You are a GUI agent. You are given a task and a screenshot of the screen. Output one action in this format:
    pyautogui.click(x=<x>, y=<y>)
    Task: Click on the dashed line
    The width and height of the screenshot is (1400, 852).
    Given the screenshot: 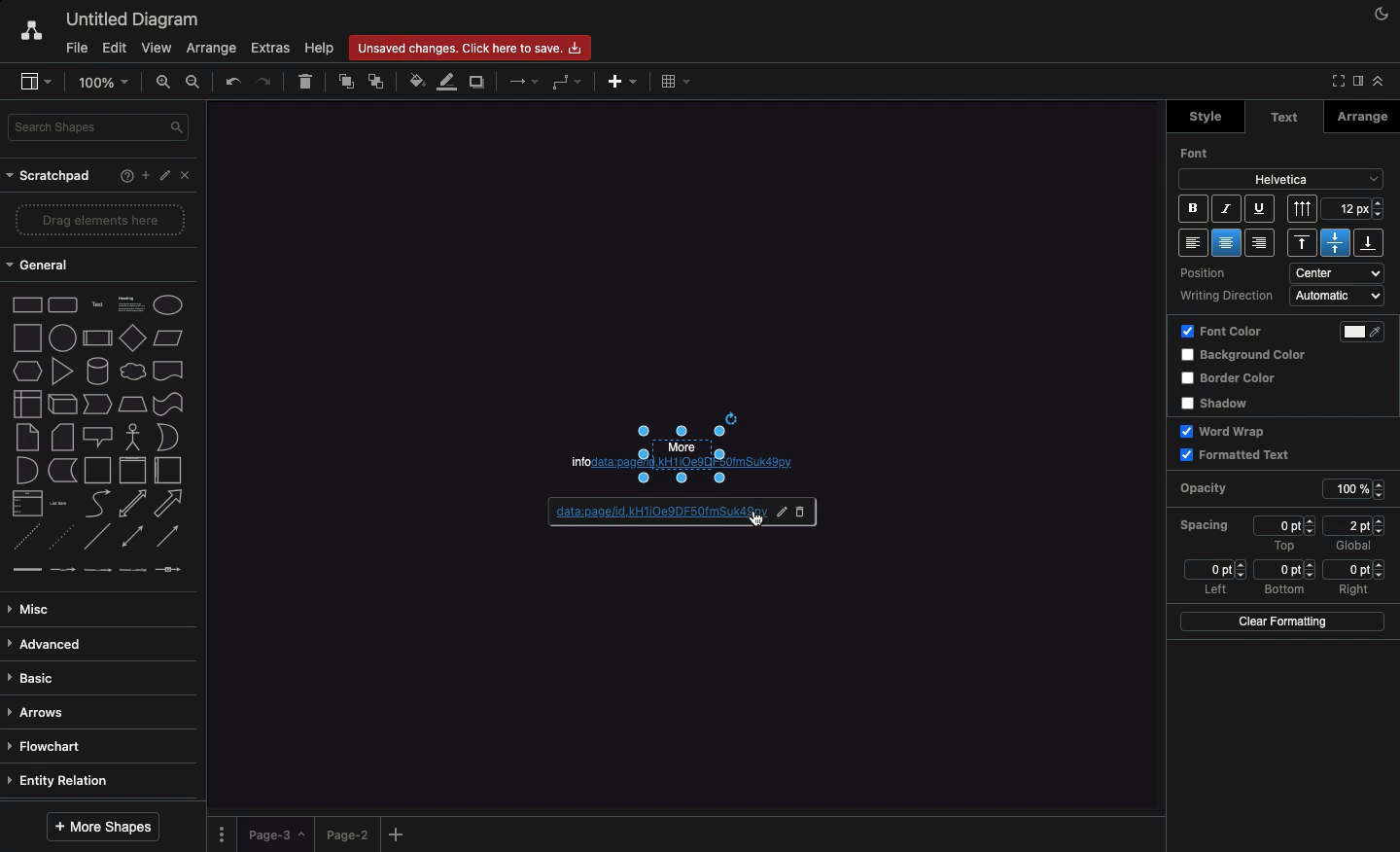 What is the action you would take?
    pyautogui.click(x=25, y=537)
    